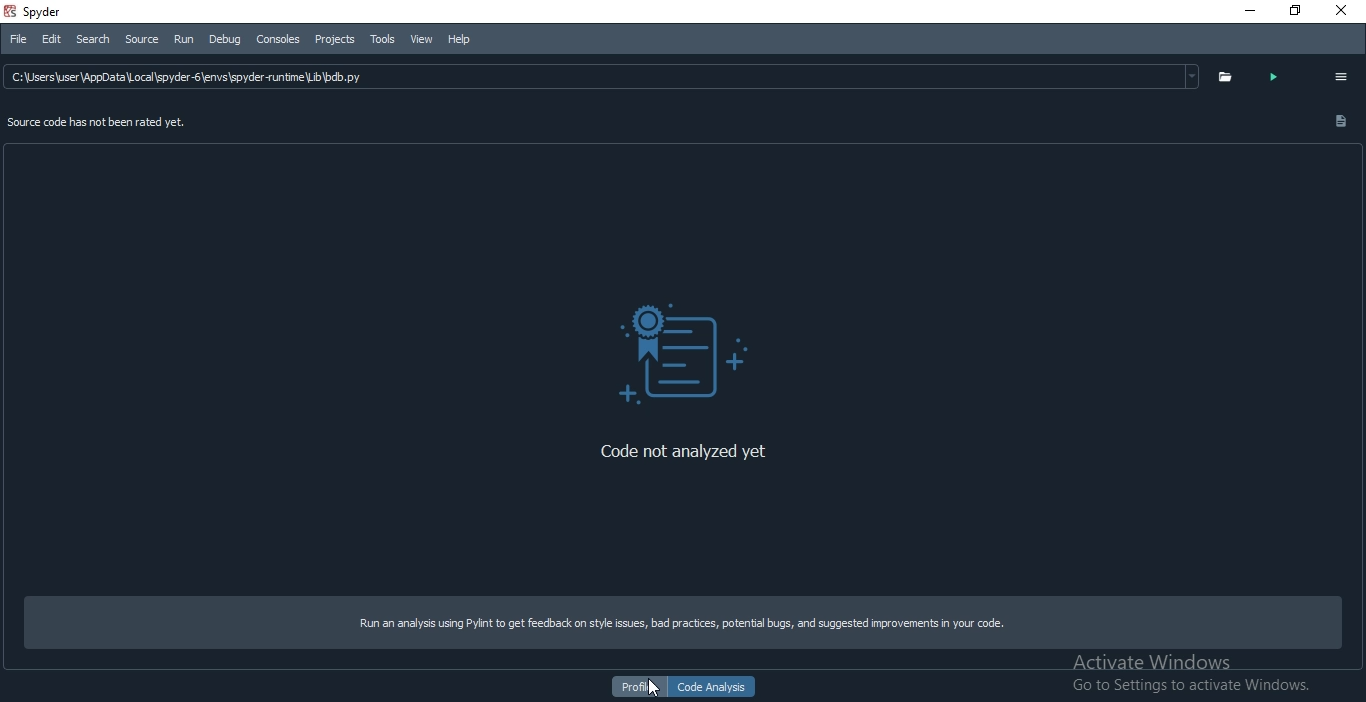  I want to click on doc, so click(1337, 121).